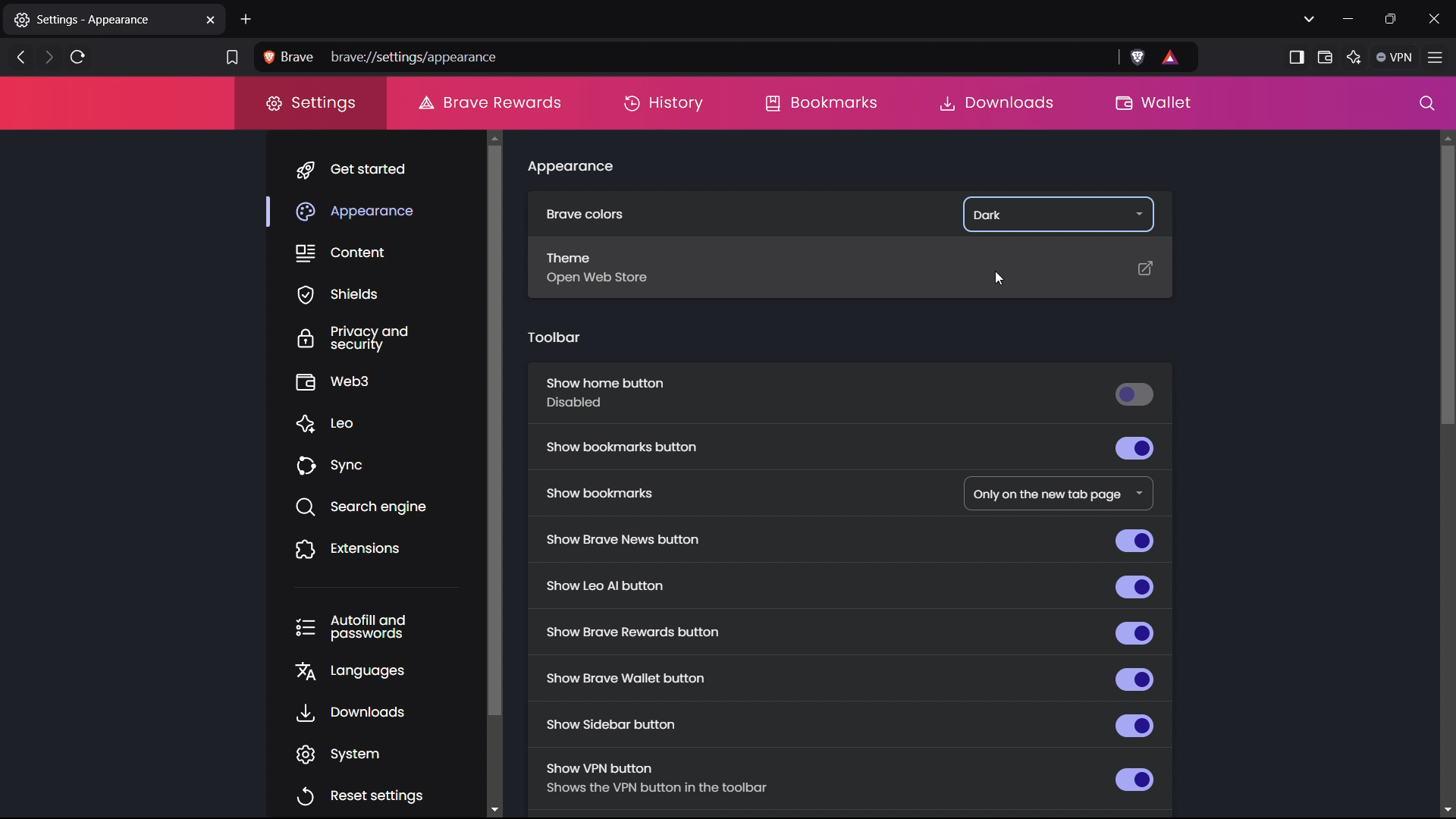  Describe the element at coordinates (1440, 285) in the screenshot. I see `scrollbar` at that location.